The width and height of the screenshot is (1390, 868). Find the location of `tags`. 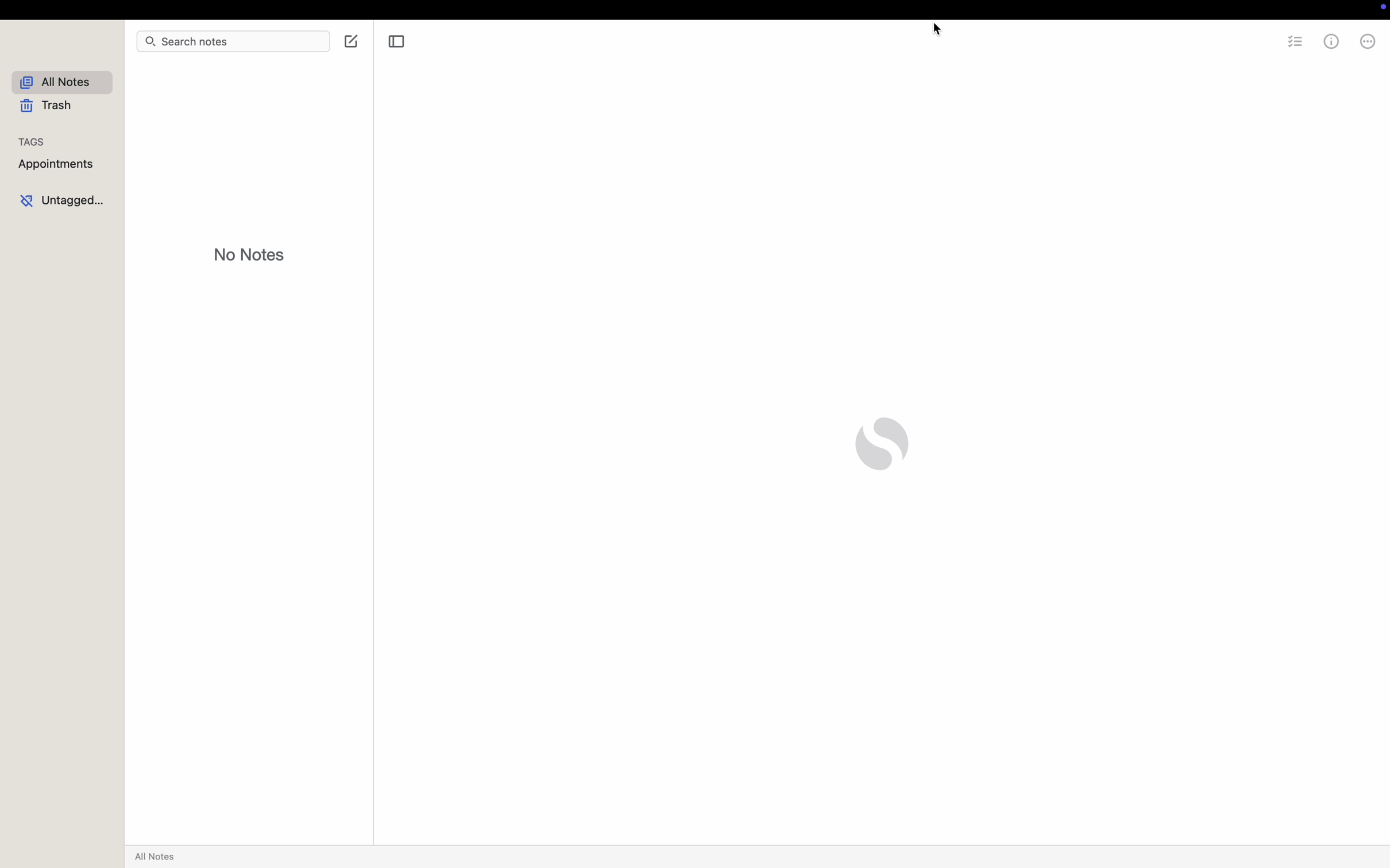

tags is located at coordinates (31, 142).